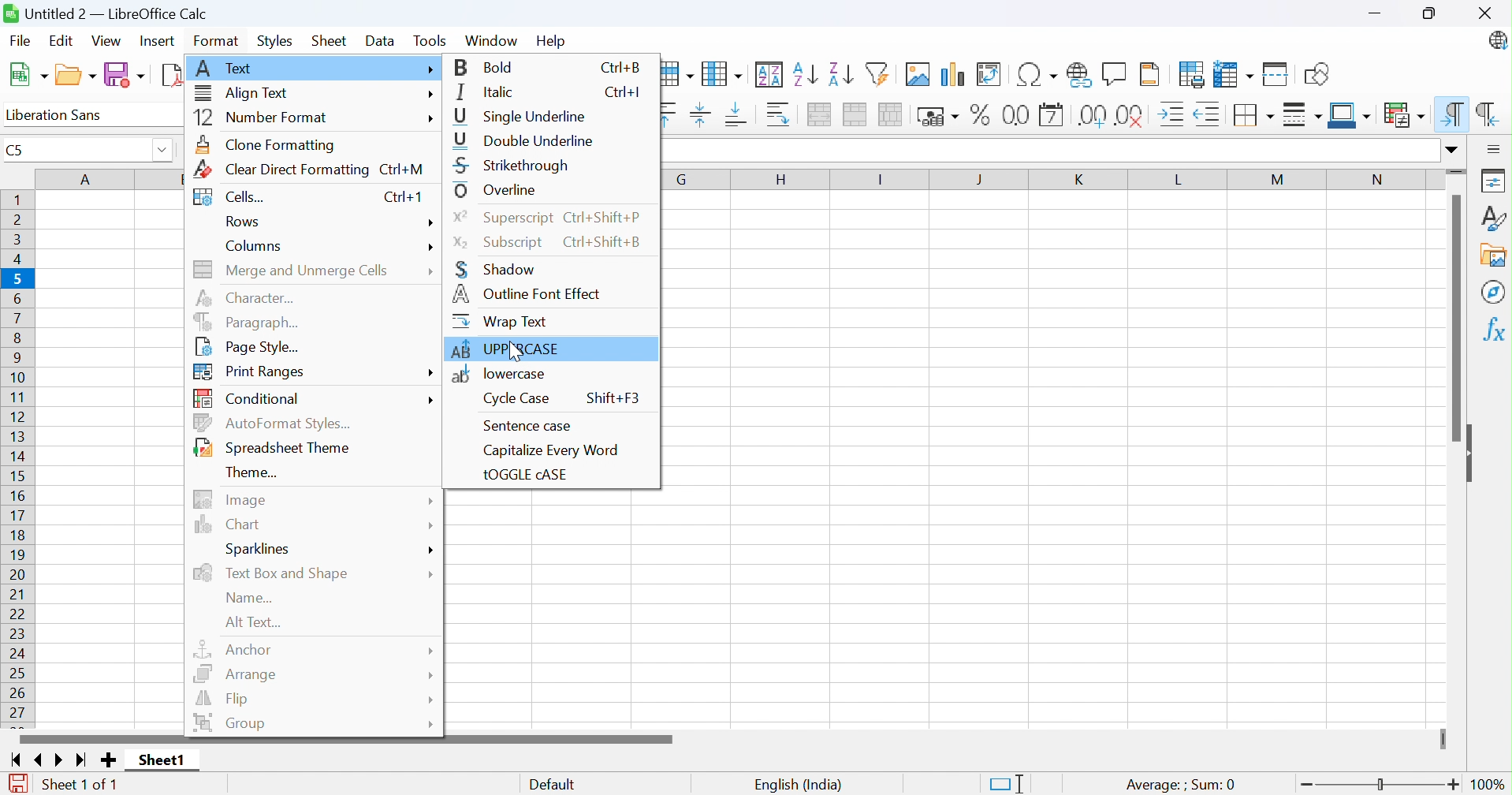 Image resolution: width=1512 pixels, height=795 pixels. Describe the element at coordinates (529, 475) in the screenshot. I see `tOGGLE cASE` at that location.